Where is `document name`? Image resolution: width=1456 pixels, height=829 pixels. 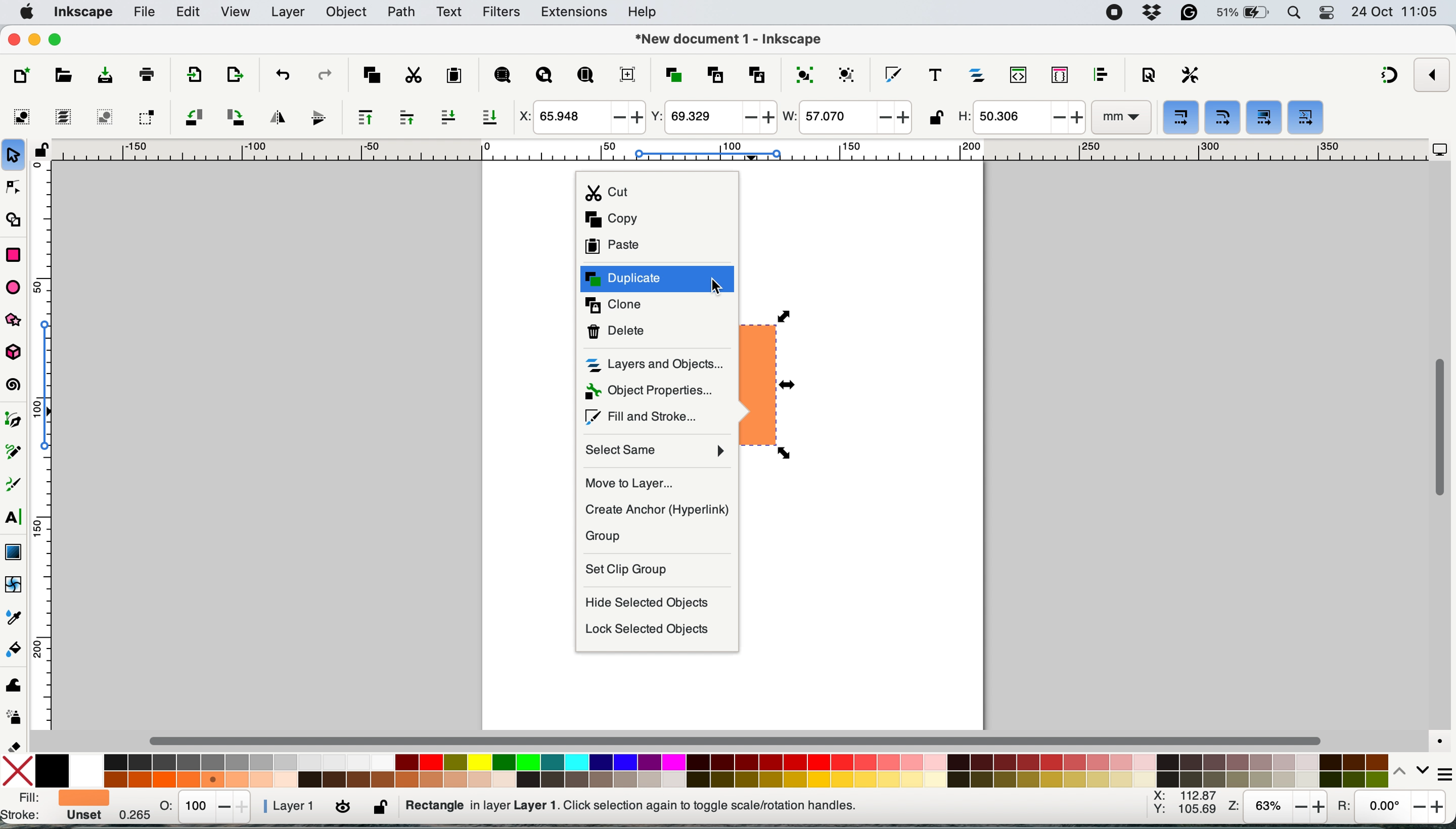 document name is located at coordinates (728, 40).